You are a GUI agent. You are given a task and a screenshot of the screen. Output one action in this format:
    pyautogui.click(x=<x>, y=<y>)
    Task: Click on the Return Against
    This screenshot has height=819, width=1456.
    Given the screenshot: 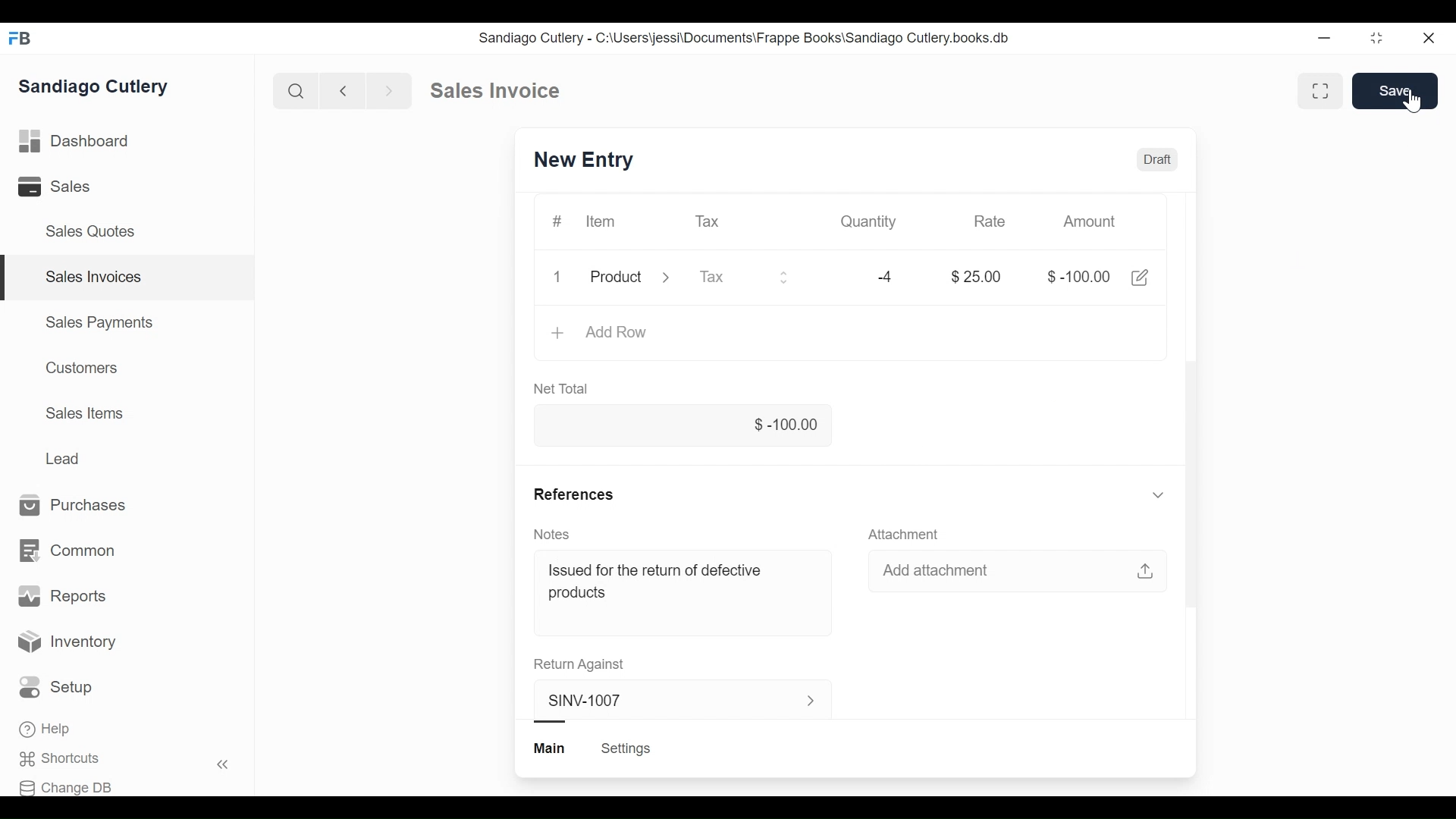 What is the action you would take?
    pyautogui.click(x=579, y=664)
    